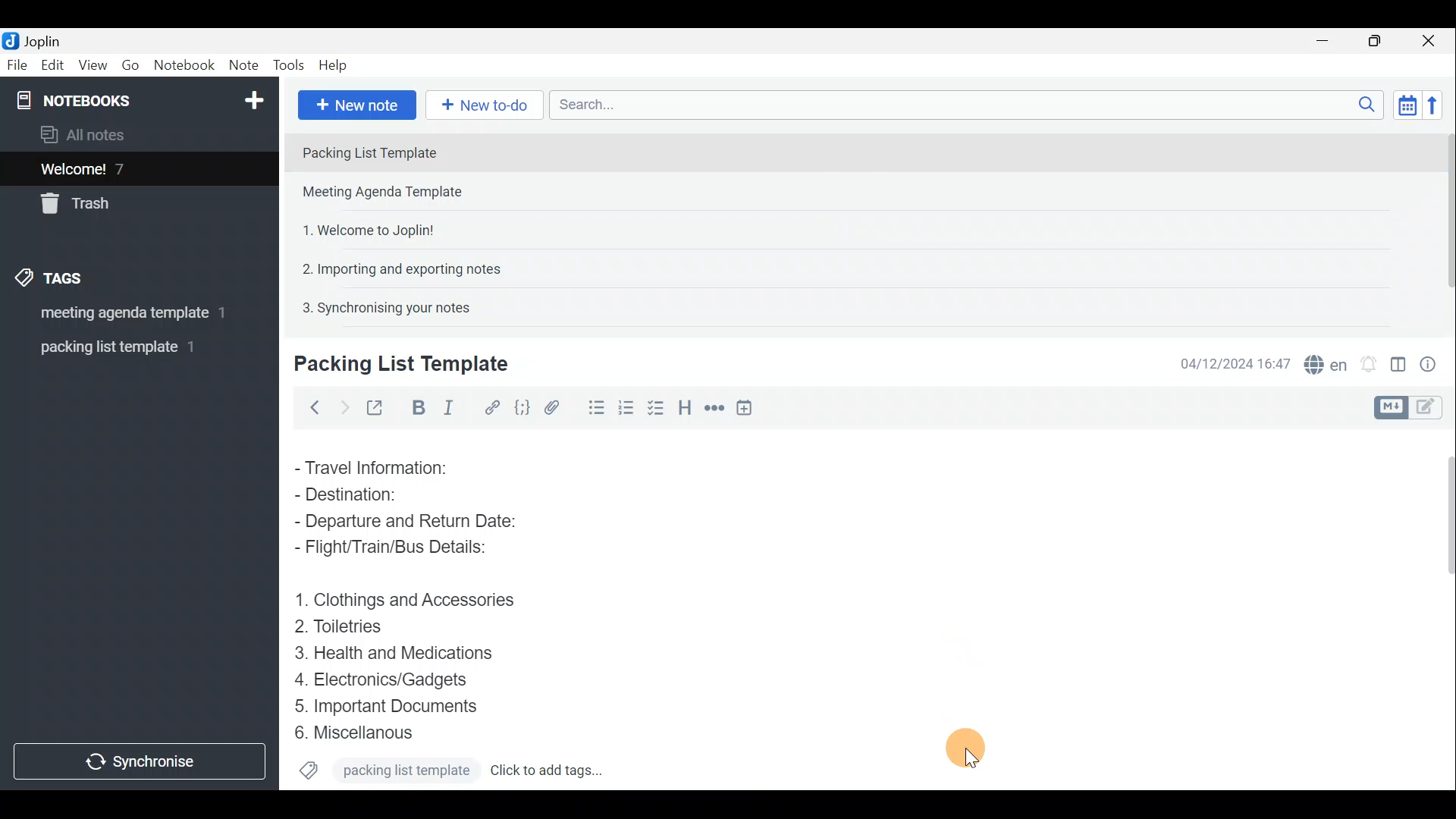  Describe the element at coordinates (1433, 40) in the screenshot. I see `Close` at that location.